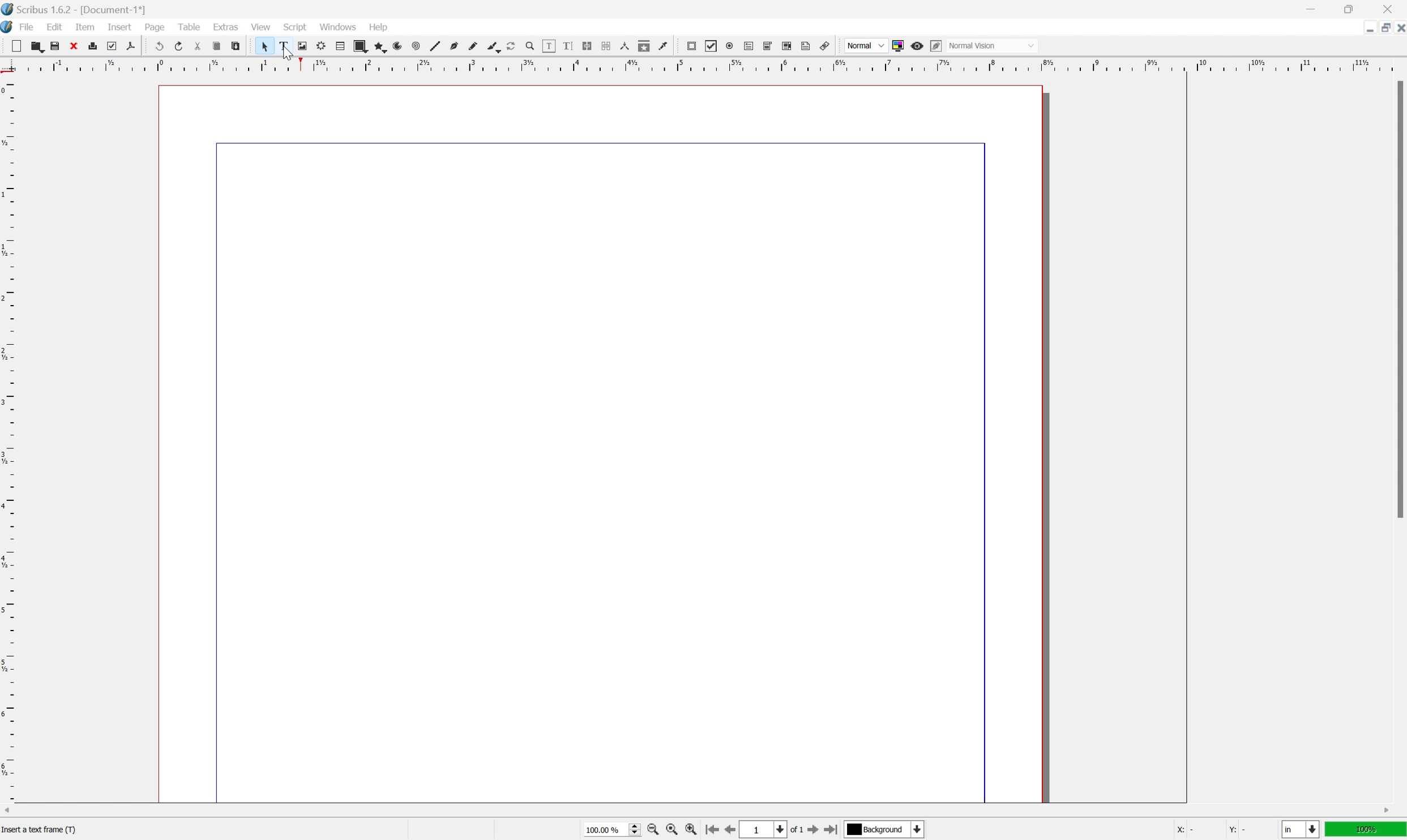 The width and height of the screenshot is (1407, 840). I want to click on close, so click(1391, 8).